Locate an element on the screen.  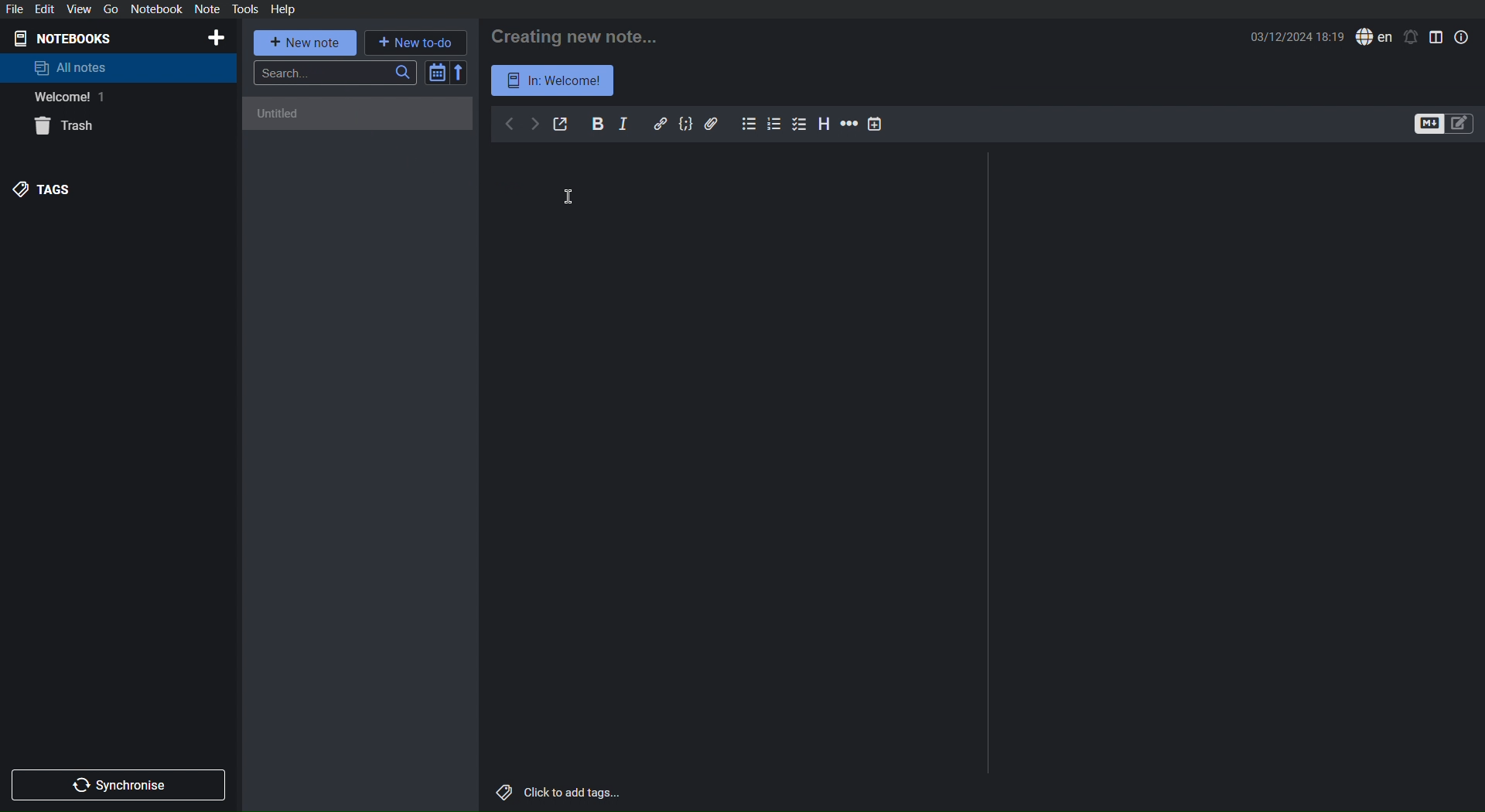
Synchronize is located at coordinates (121, 783).